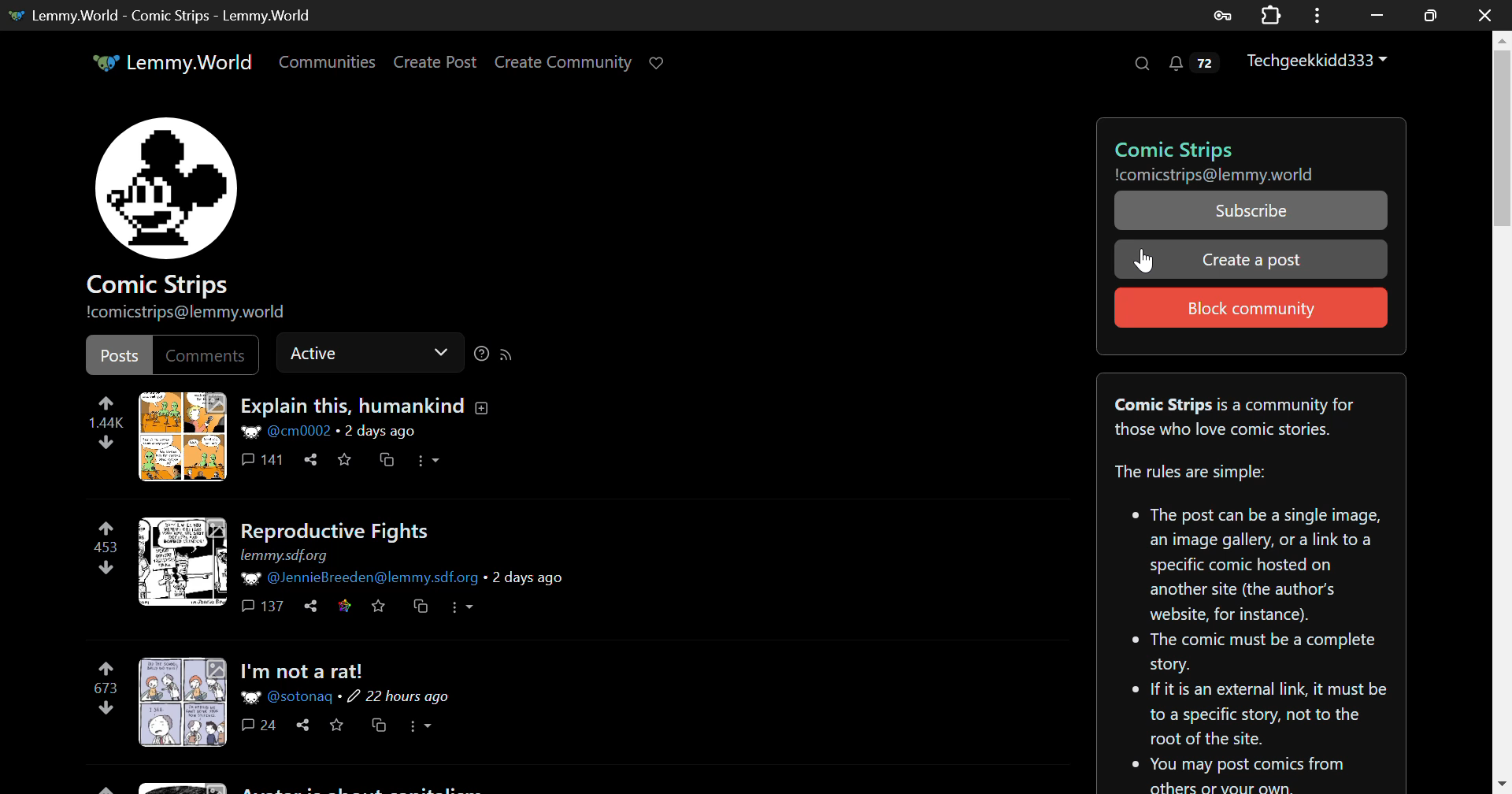 This screenshot has height=794, width=1512. What do you see at coordinates (107, 421) in the screenshot?
I see `Post Vote Counter` at bounding box center [107, 421].